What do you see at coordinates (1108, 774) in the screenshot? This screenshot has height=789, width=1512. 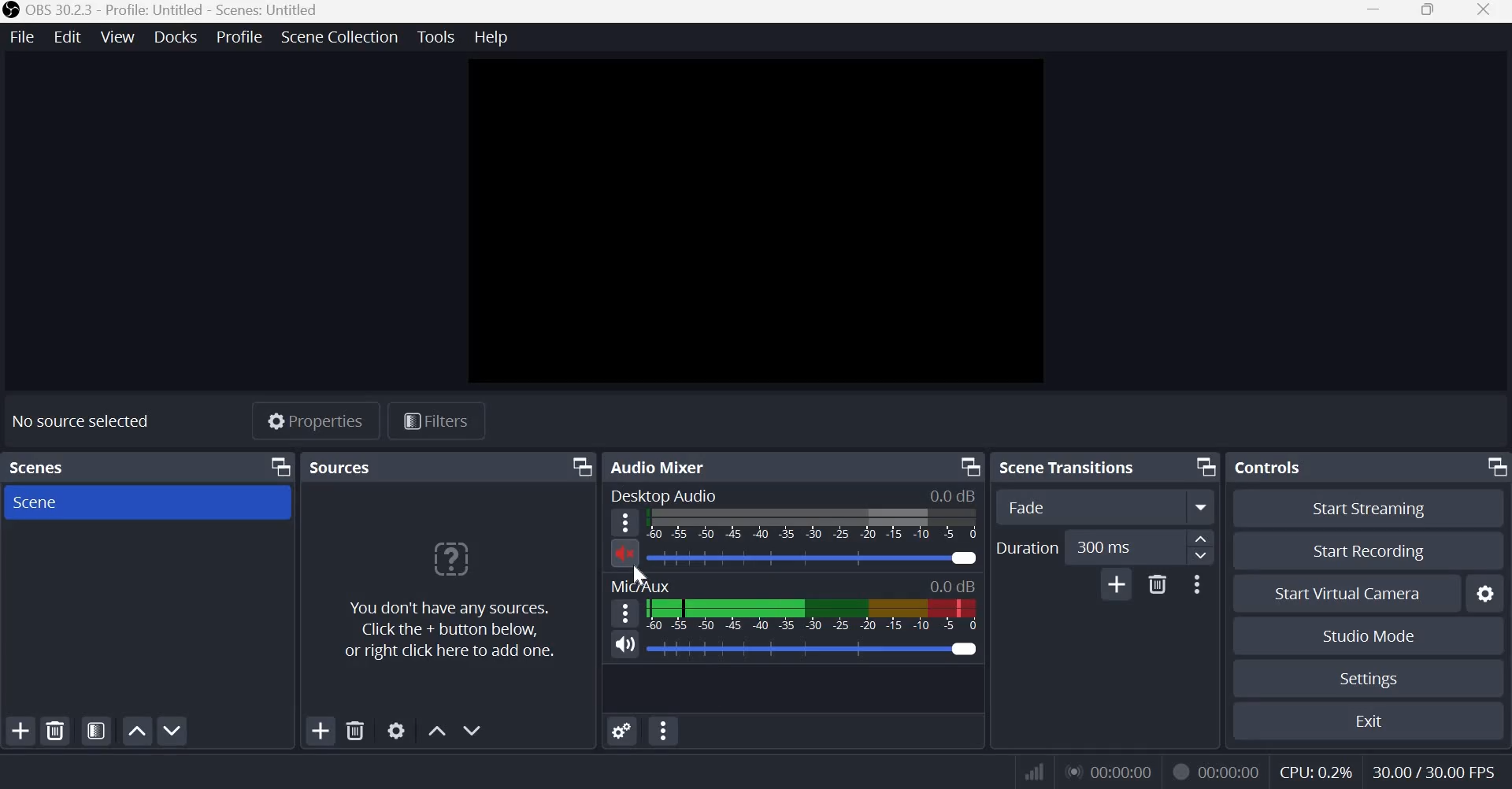 I see `Live Duration Timer` at bounding box center [1108, 774].